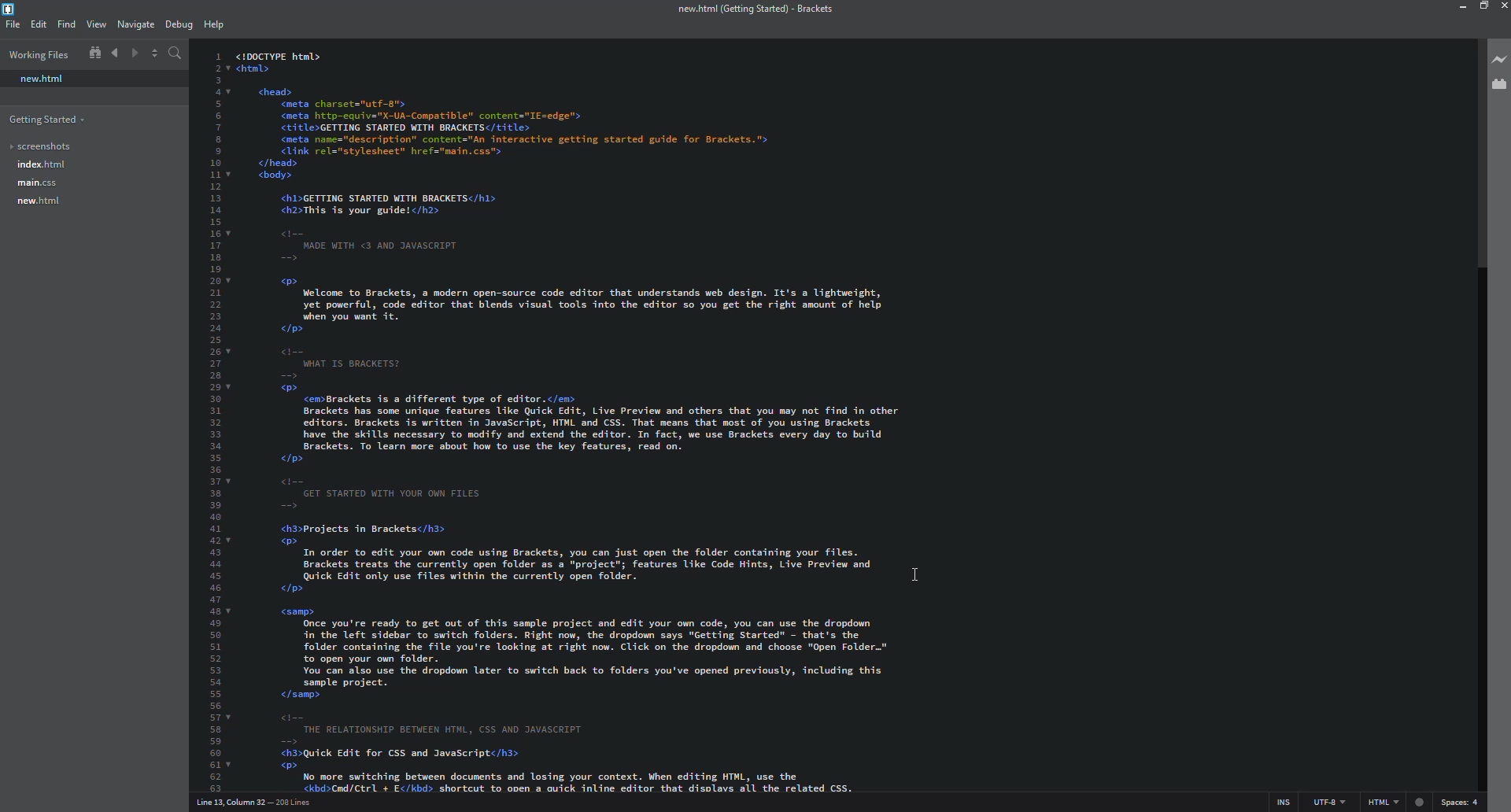 The height and width of the screenshot is (812, 1511). Describe the element at coordinates (133, 54) in the screenshot. I see `forward` at that location.